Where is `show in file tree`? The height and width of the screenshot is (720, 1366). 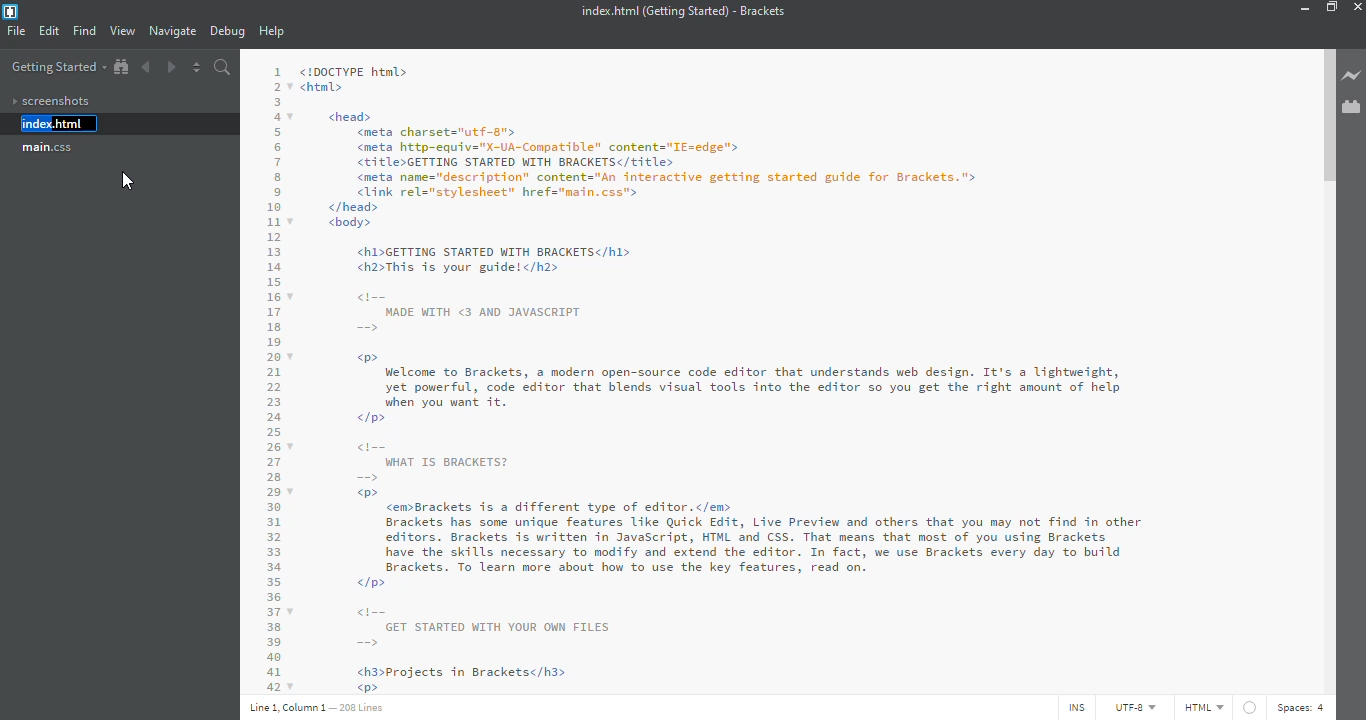 show in file tree is located at coordinates (121, 67).